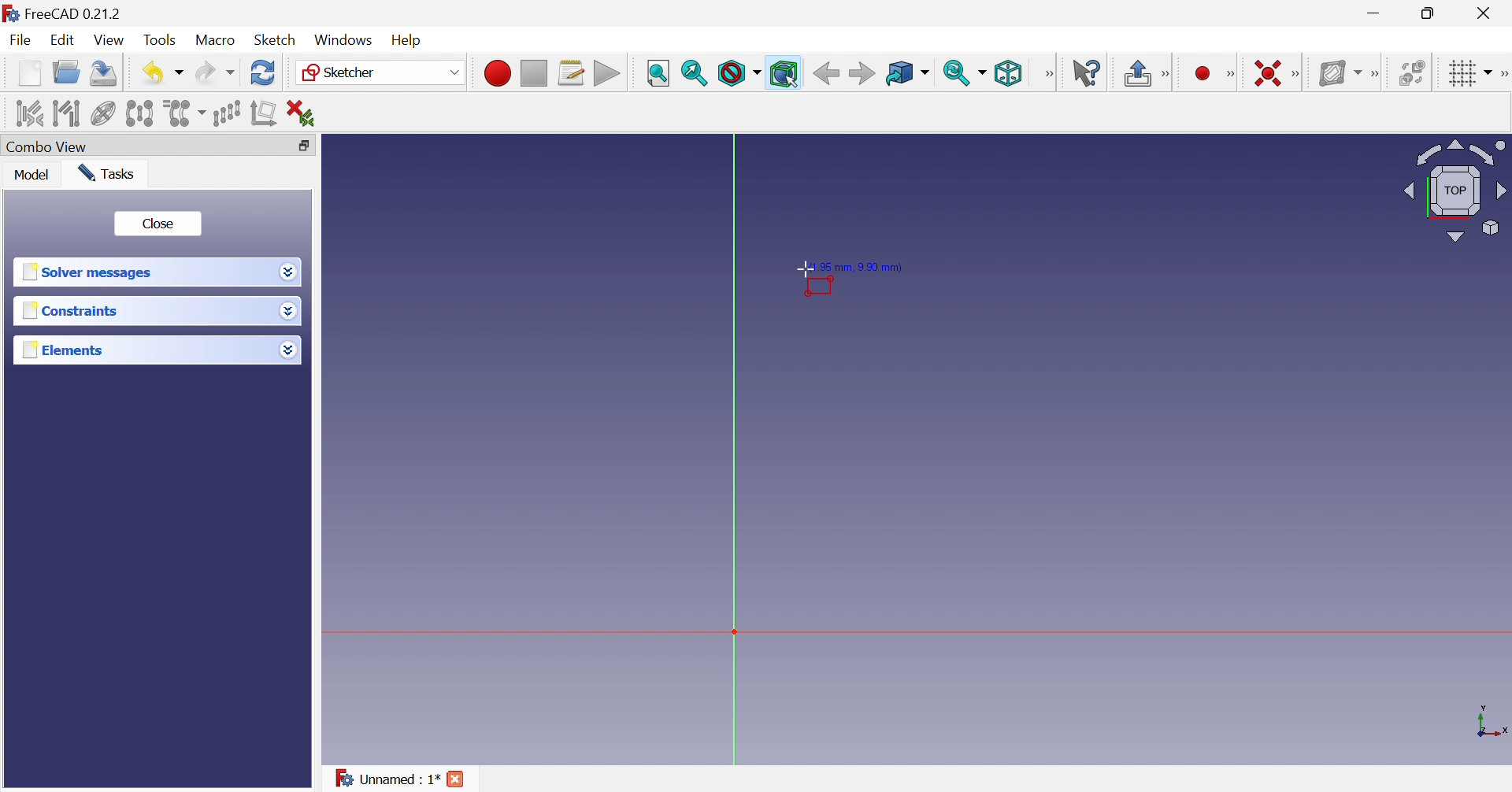 The image size is (1512, 792). What do you see at coordinates (498, 74) in the screenshot?
I see `Macro recording...` at bounding box center [498, 74].